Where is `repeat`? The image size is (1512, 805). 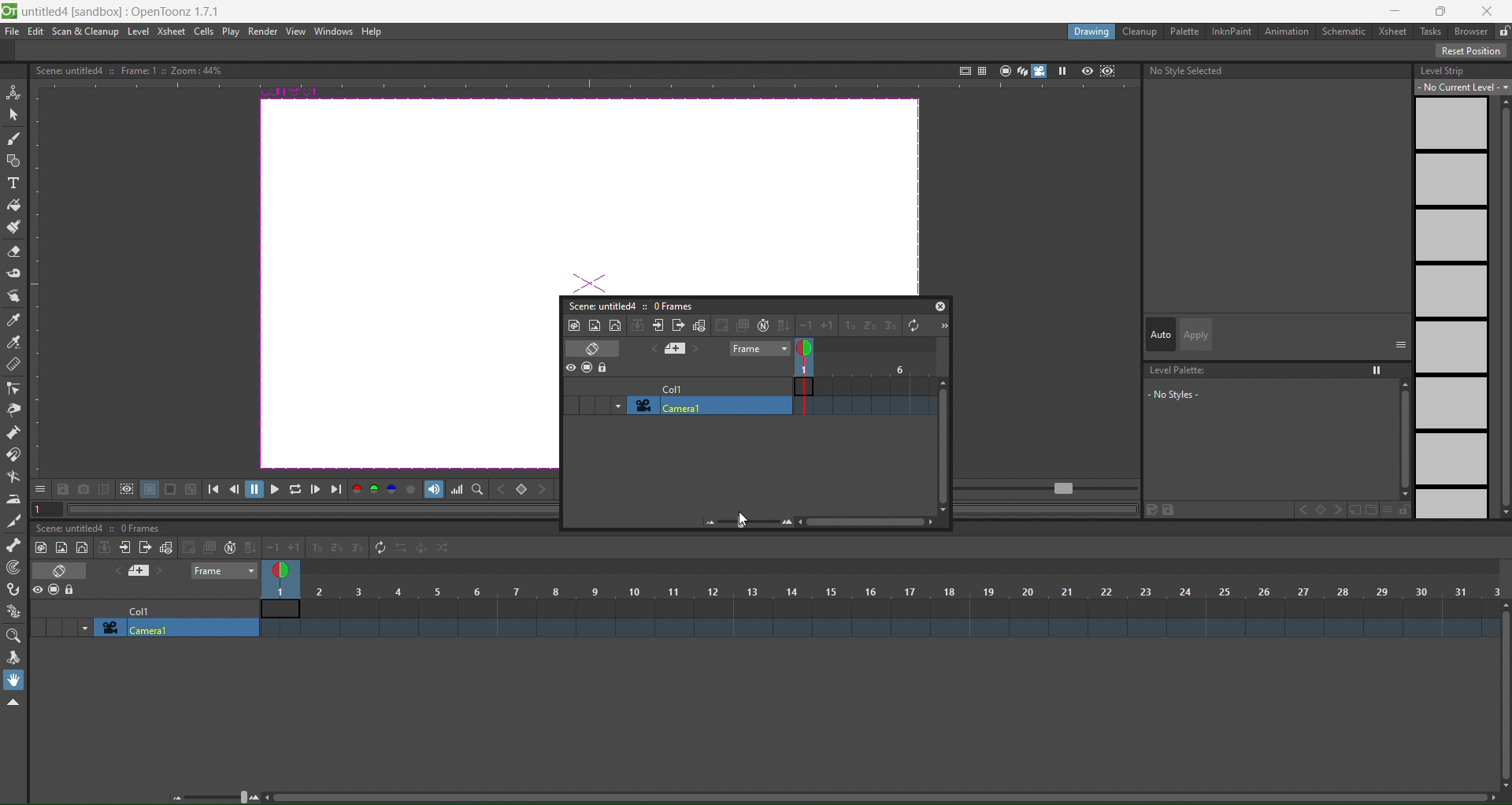
repeat is located at coordinates (376, 547).